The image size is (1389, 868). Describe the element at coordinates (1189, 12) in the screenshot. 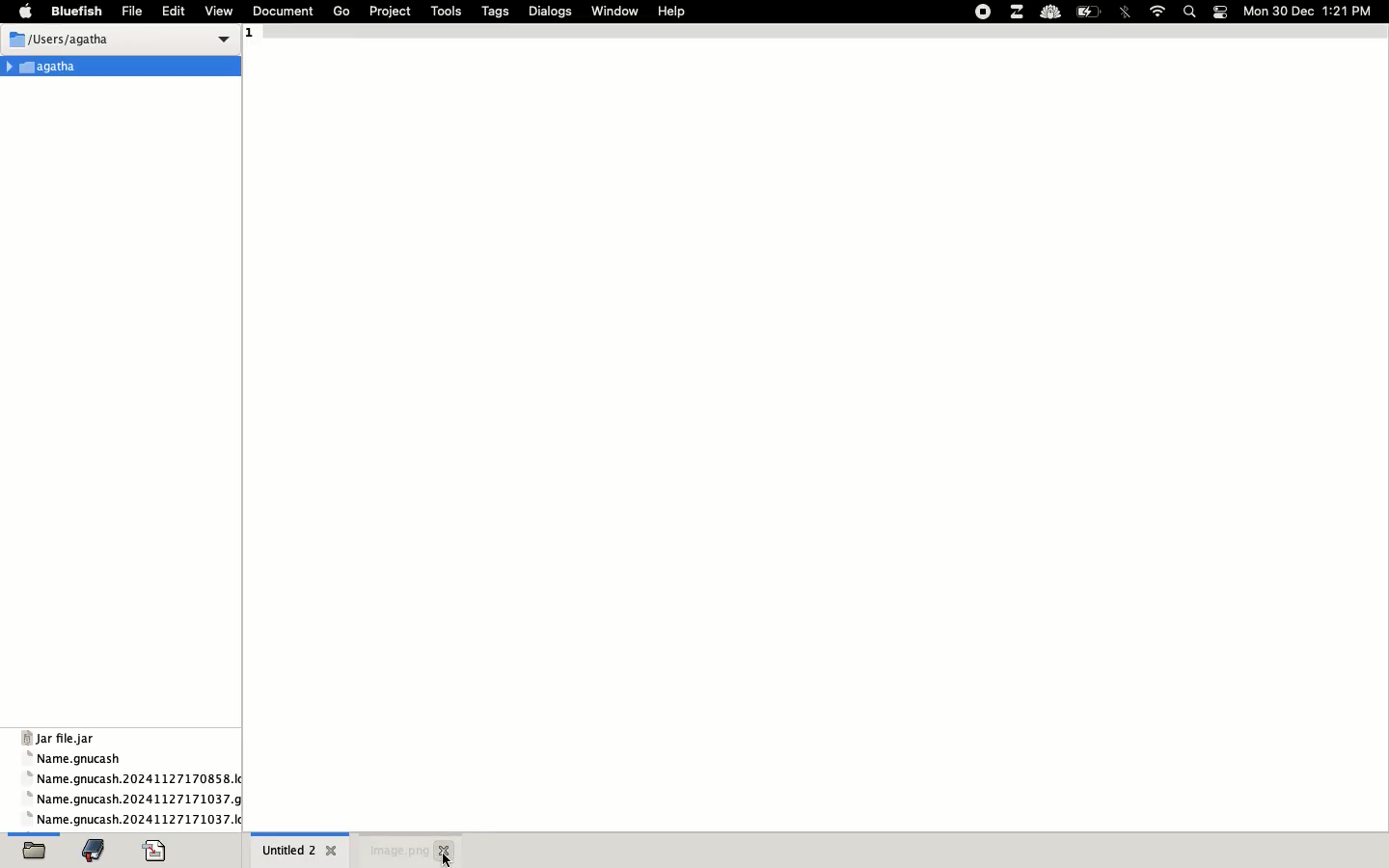

I see `search` at that location.